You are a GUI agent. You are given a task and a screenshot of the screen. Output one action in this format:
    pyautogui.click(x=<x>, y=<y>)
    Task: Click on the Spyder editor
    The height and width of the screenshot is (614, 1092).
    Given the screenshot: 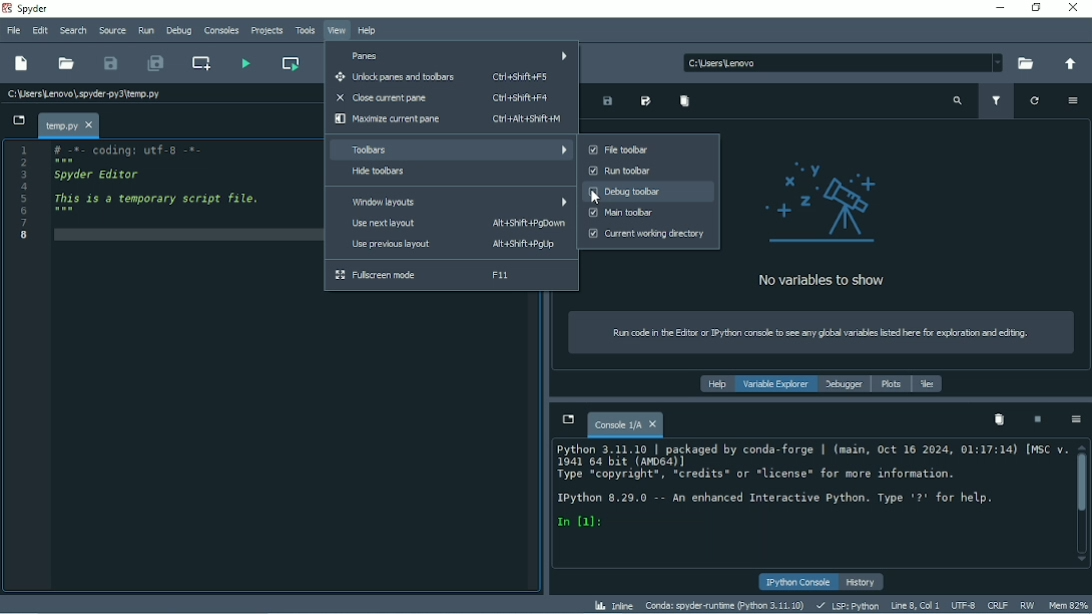 What is the action you would take?
    pyautogui.click(x=100, y=175)
    